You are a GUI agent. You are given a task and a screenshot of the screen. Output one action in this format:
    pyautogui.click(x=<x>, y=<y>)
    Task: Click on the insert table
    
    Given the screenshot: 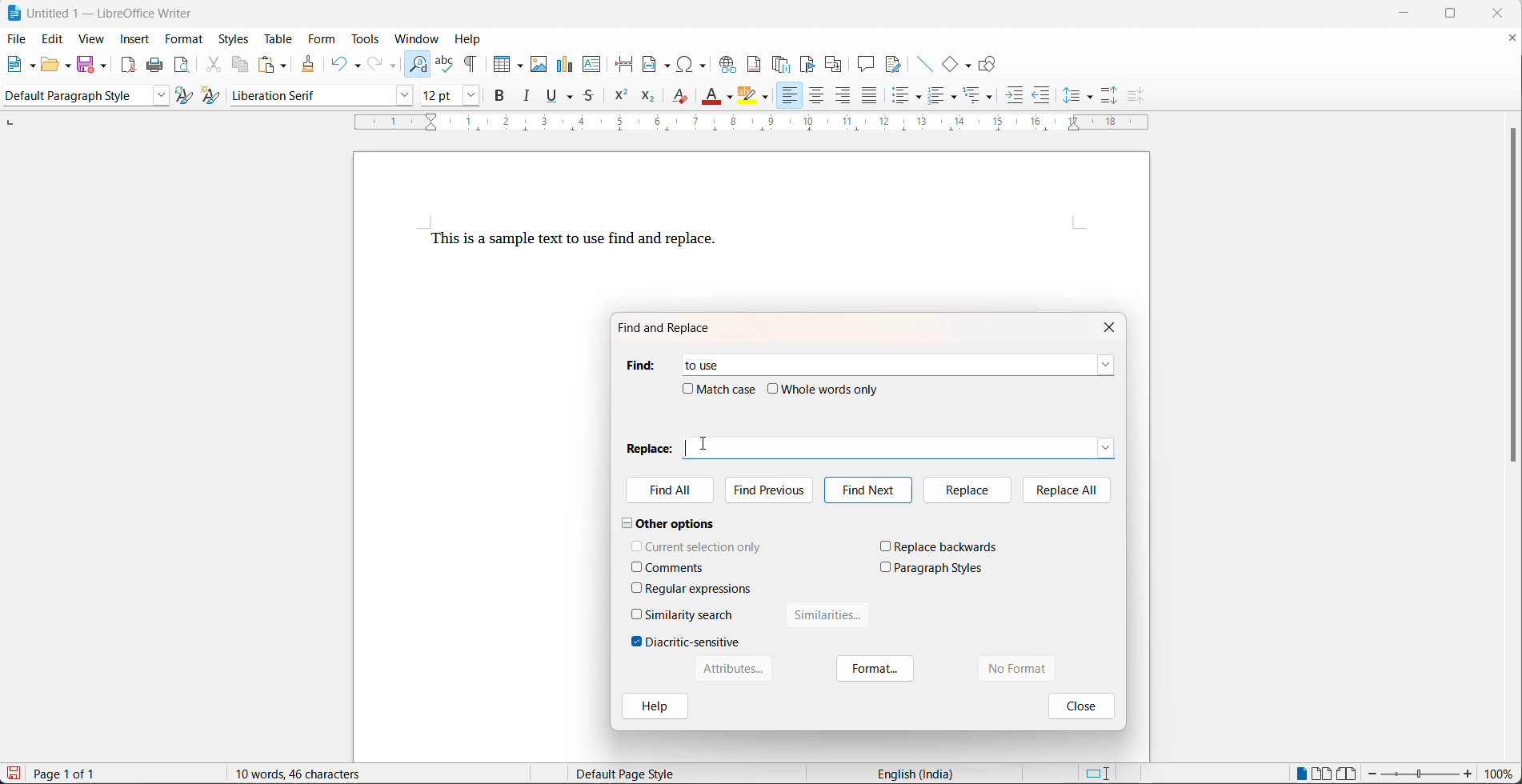 What is the action you would take?
    pyautogui.click(x=508, y=59)
    